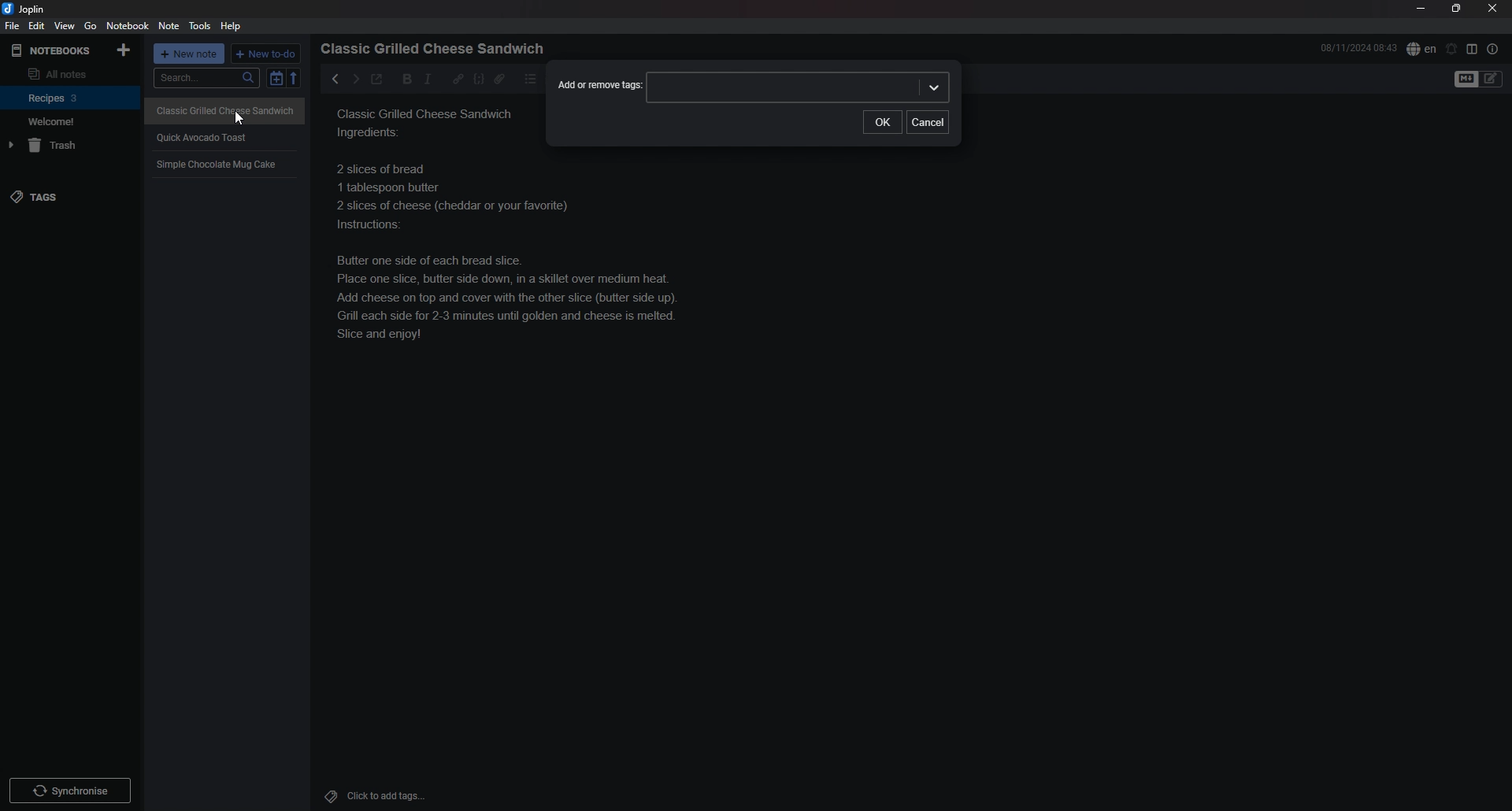 The height and width of the screenshot is (811, 1512). I want to click on minimize, so click(1421, 9).